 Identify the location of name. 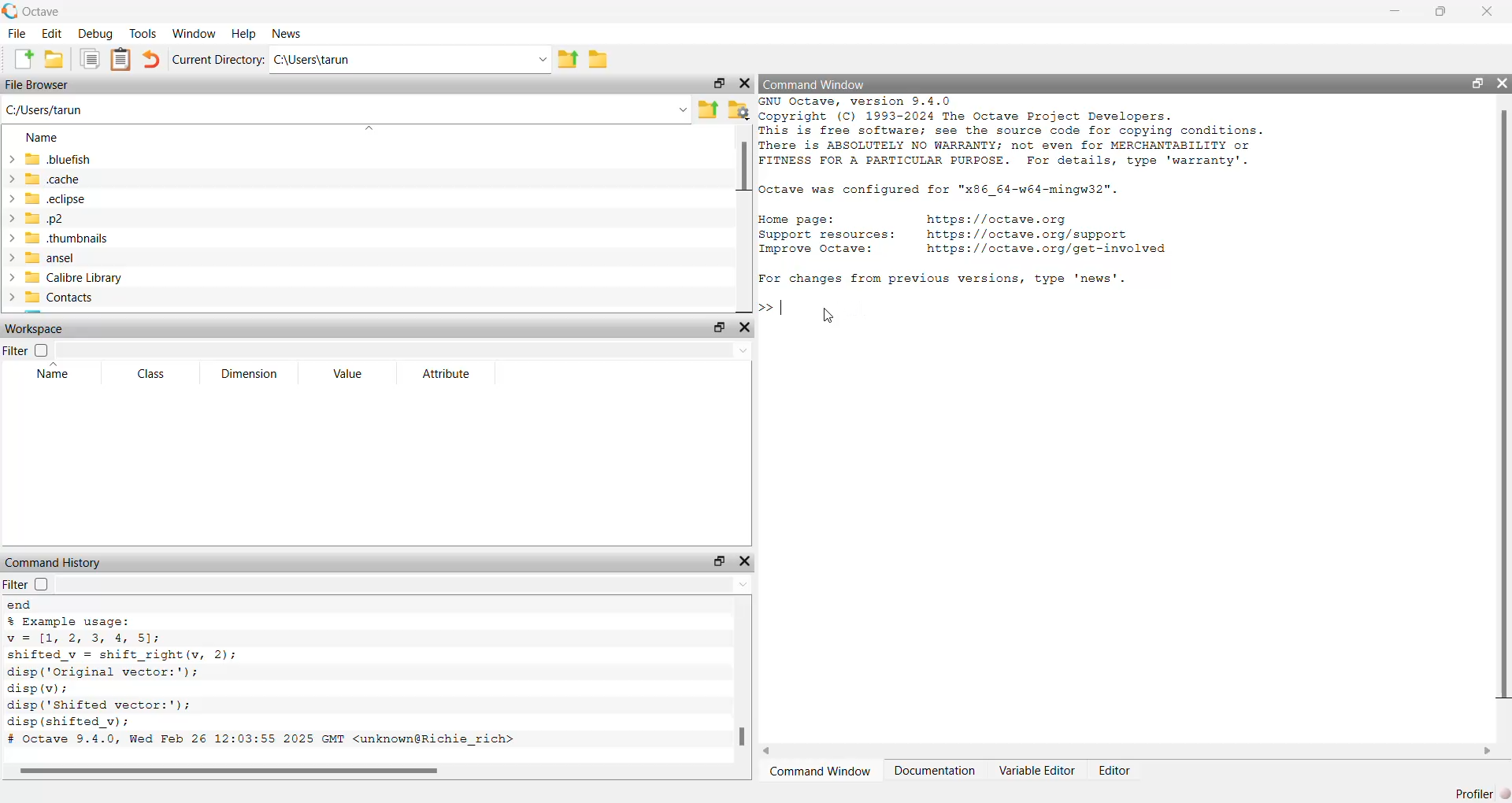
(44, 138).